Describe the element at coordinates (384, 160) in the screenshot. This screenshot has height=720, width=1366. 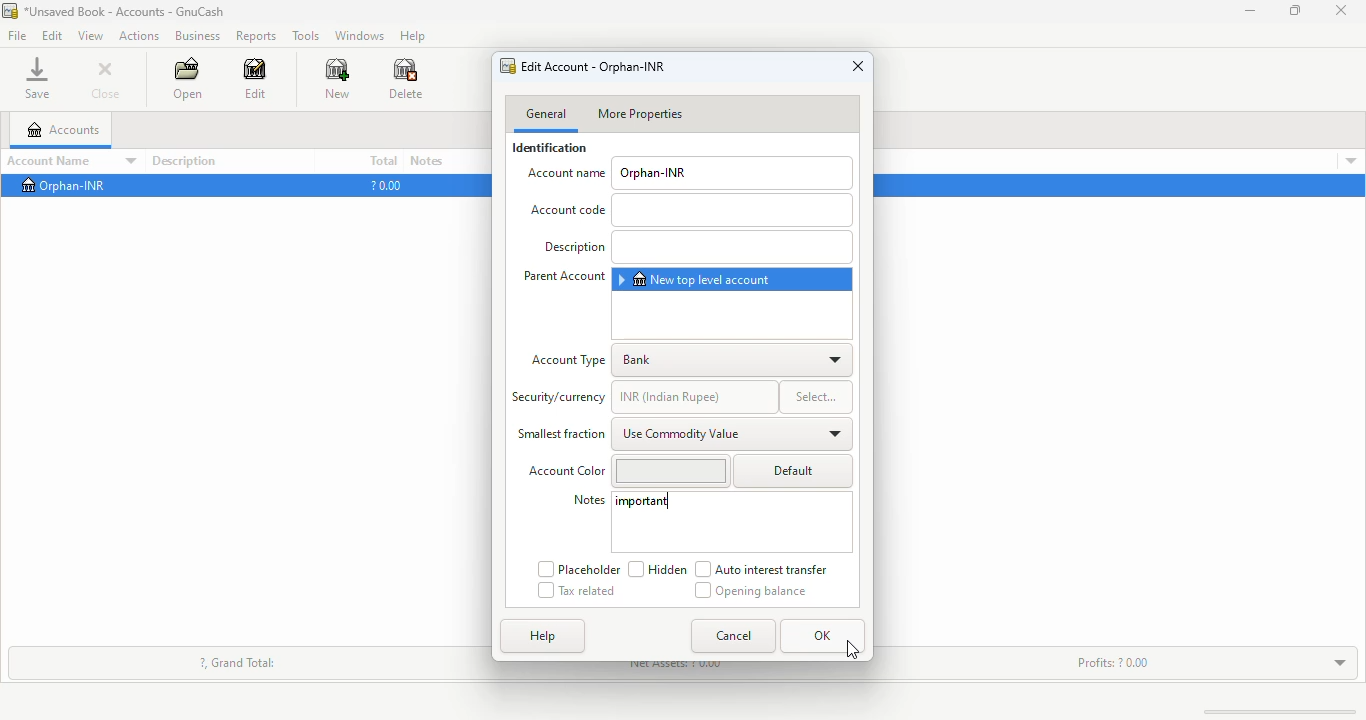
I see `total` at that location.